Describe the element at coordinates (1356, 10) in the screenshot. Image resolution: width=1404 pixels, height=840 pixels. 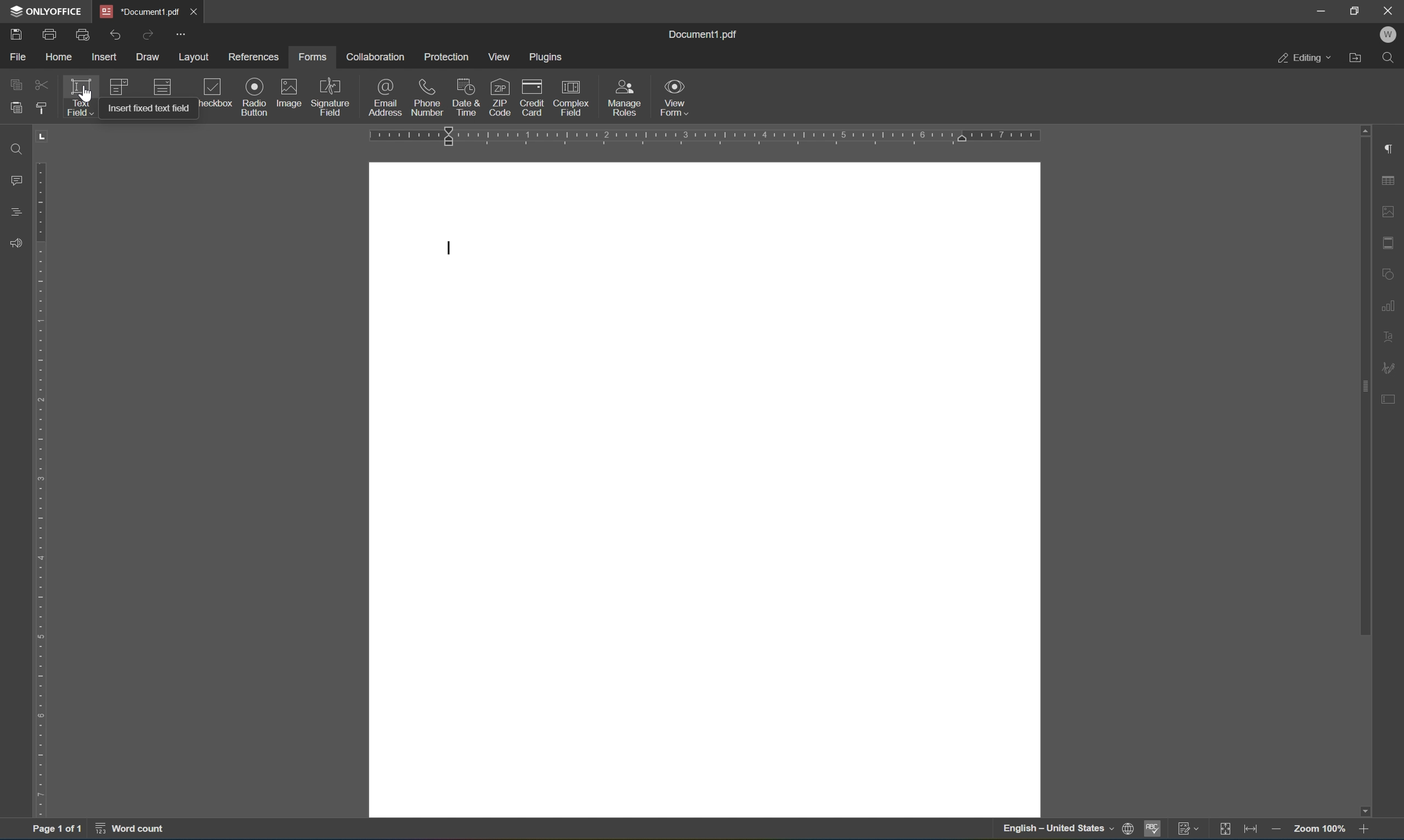
I see `restore down` at that location.